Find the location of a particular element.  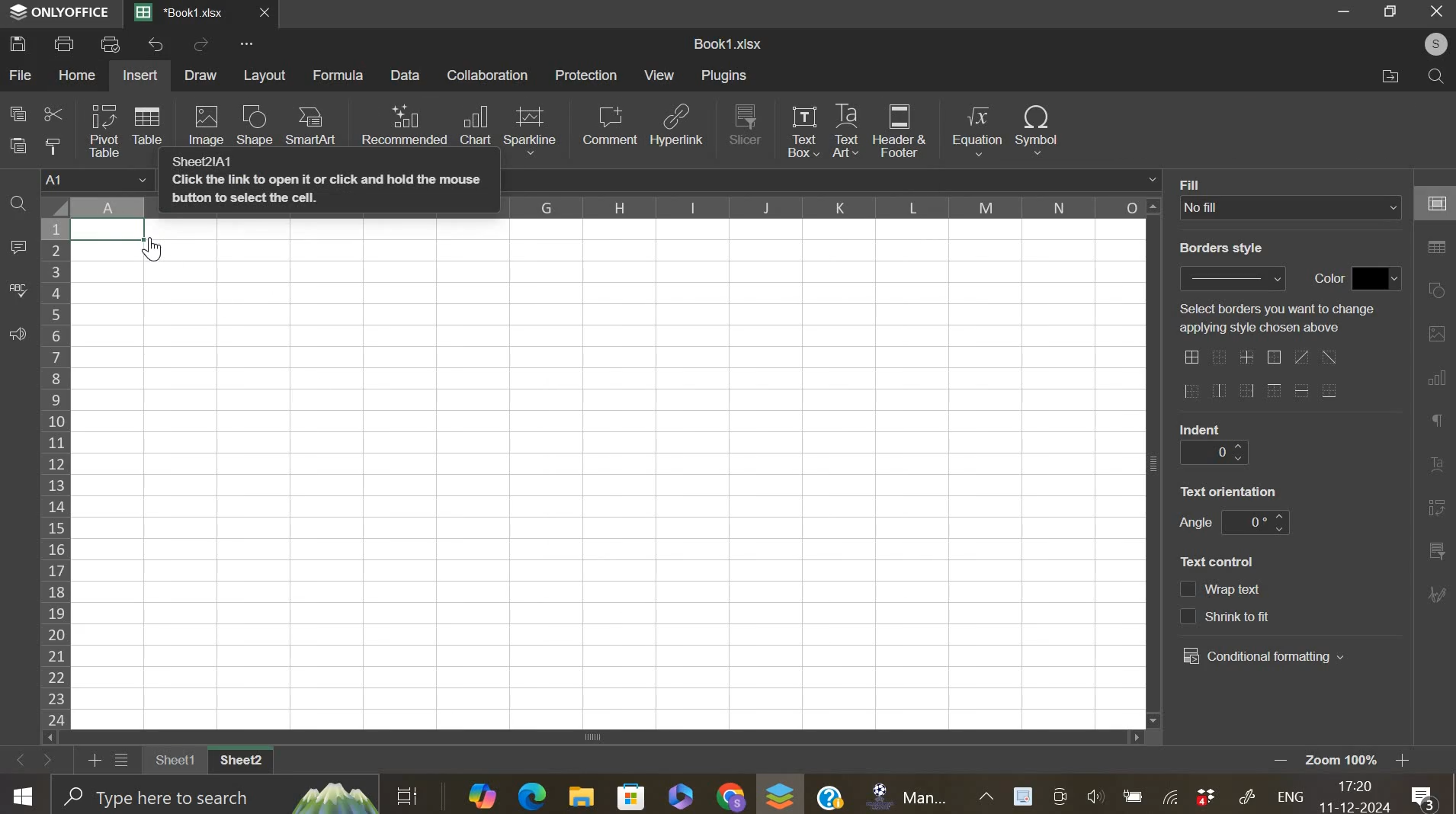

color is located at coordinates (1377, 278).